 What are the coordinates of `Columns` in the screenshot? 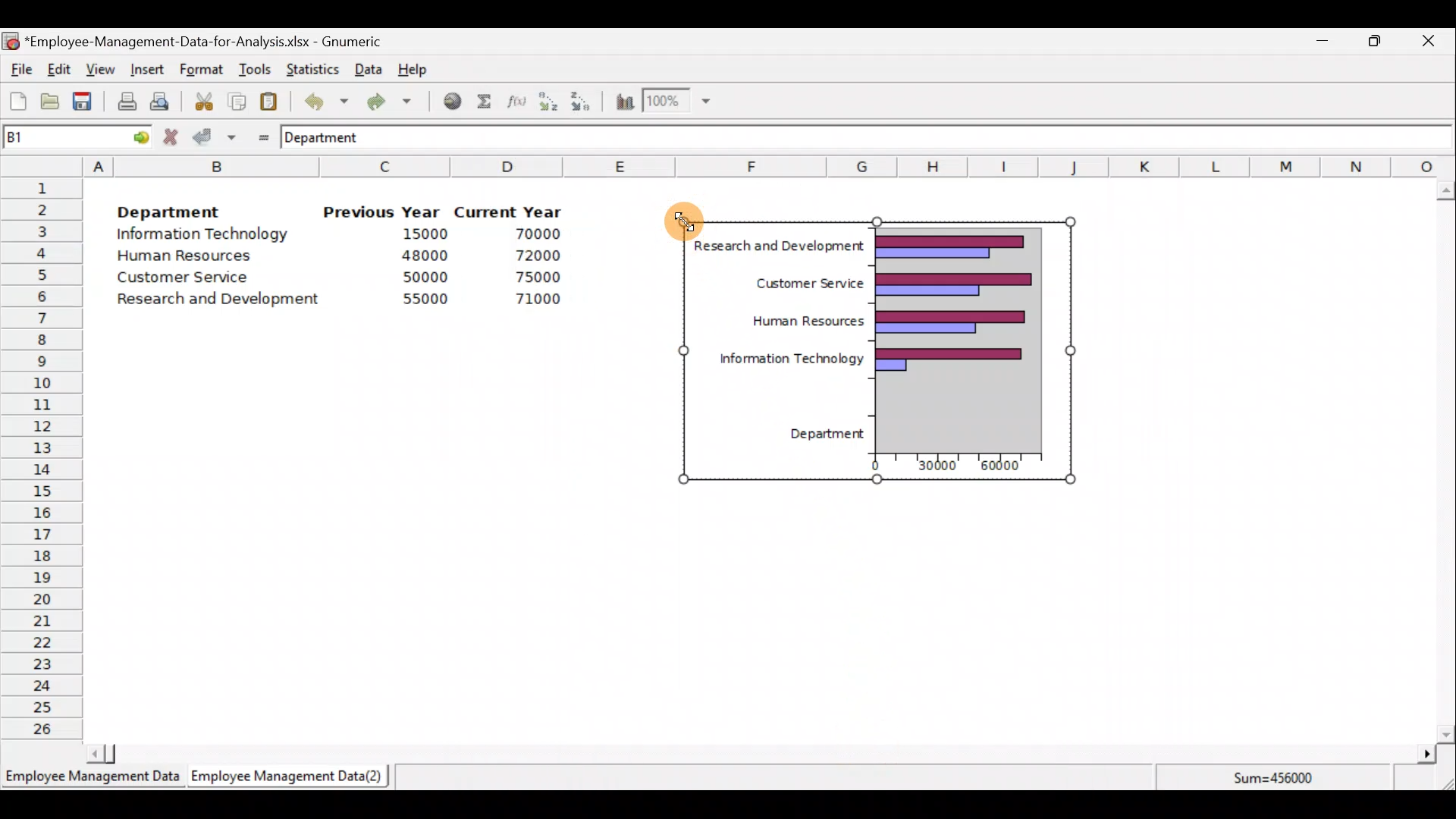 It's located at (769, 165).